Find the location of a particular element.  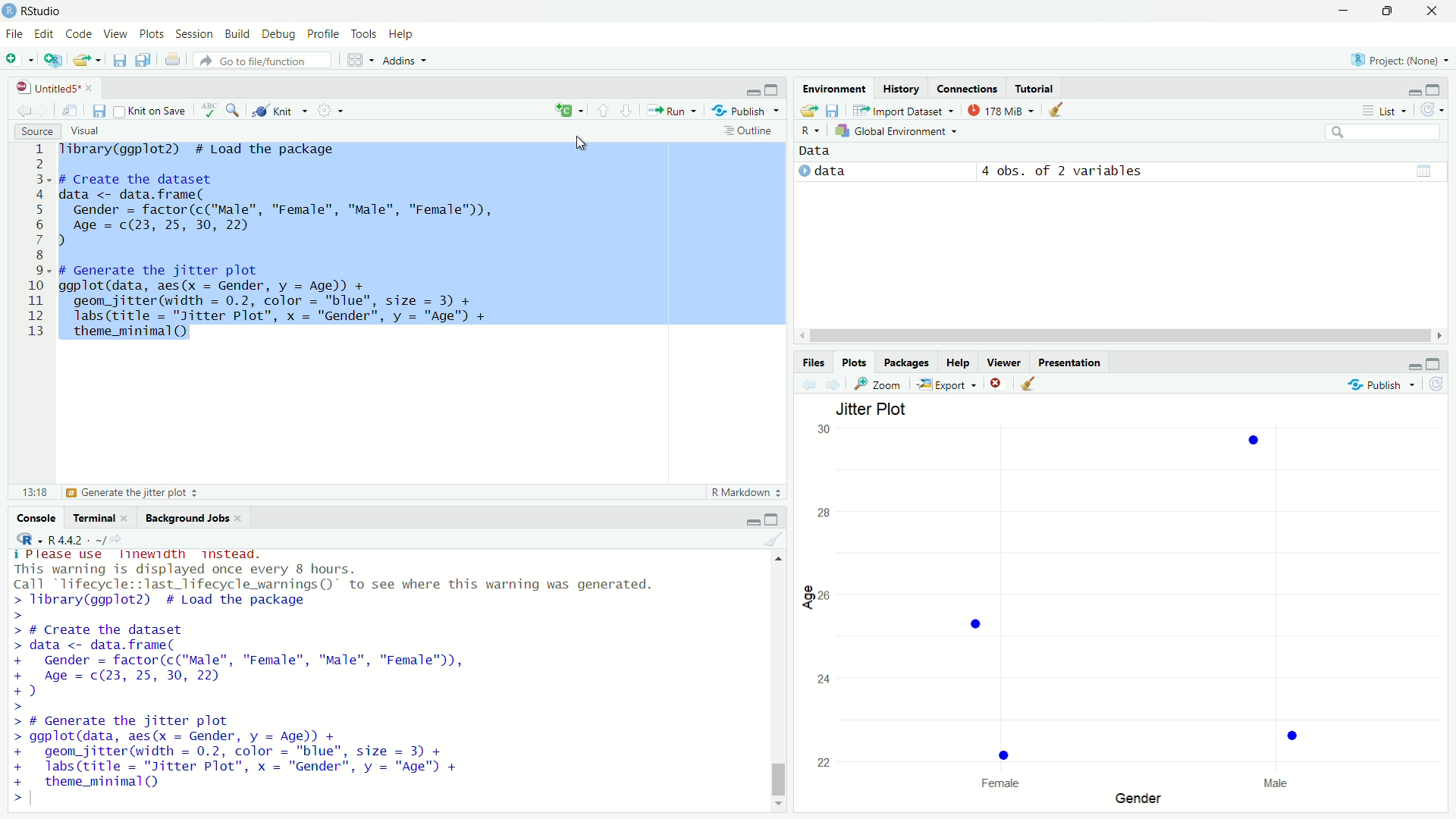

maximize is located at coordinates (1442, 89).